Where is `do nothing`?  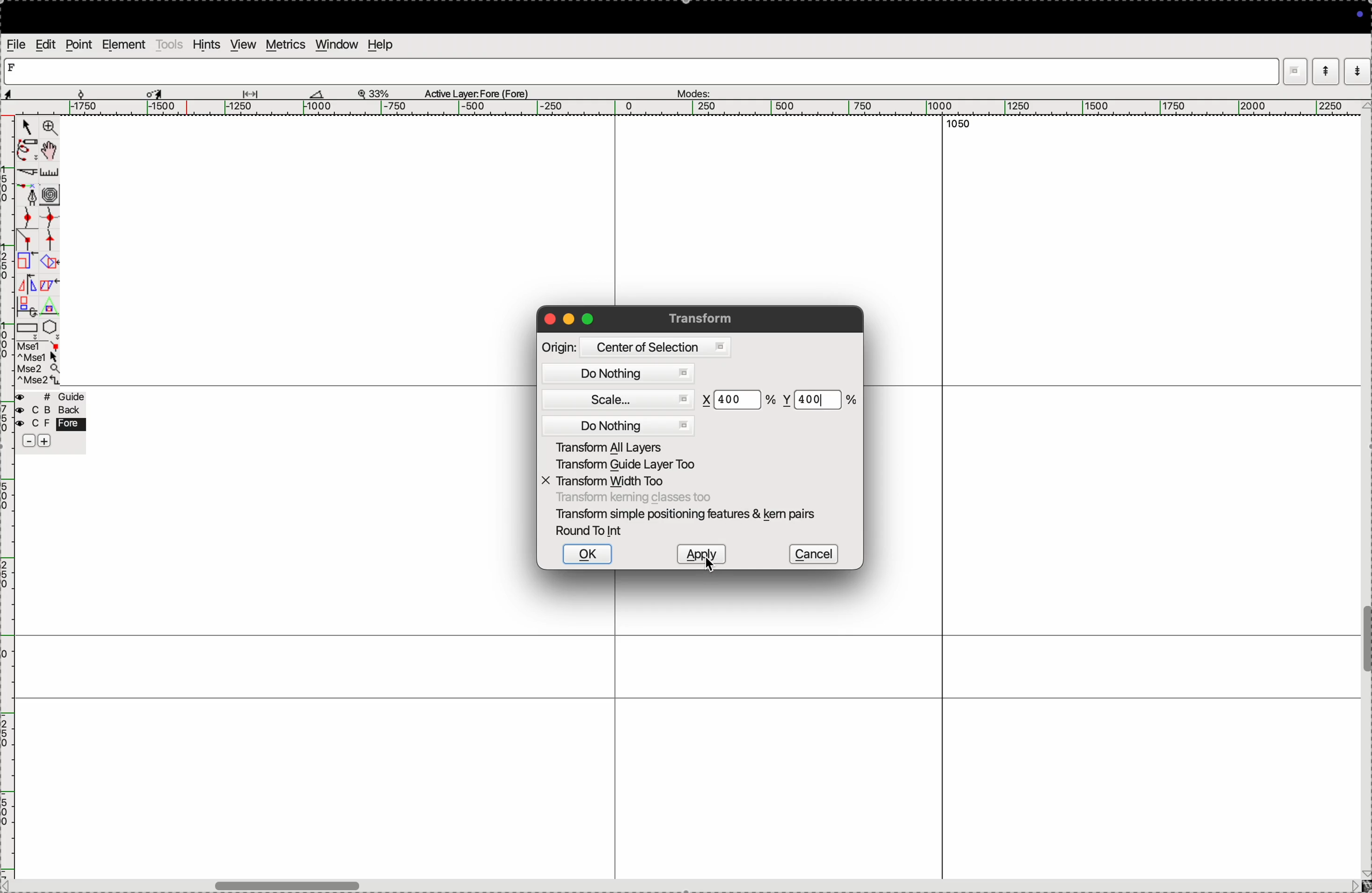 do nothing is located at coordinates (621, 374).